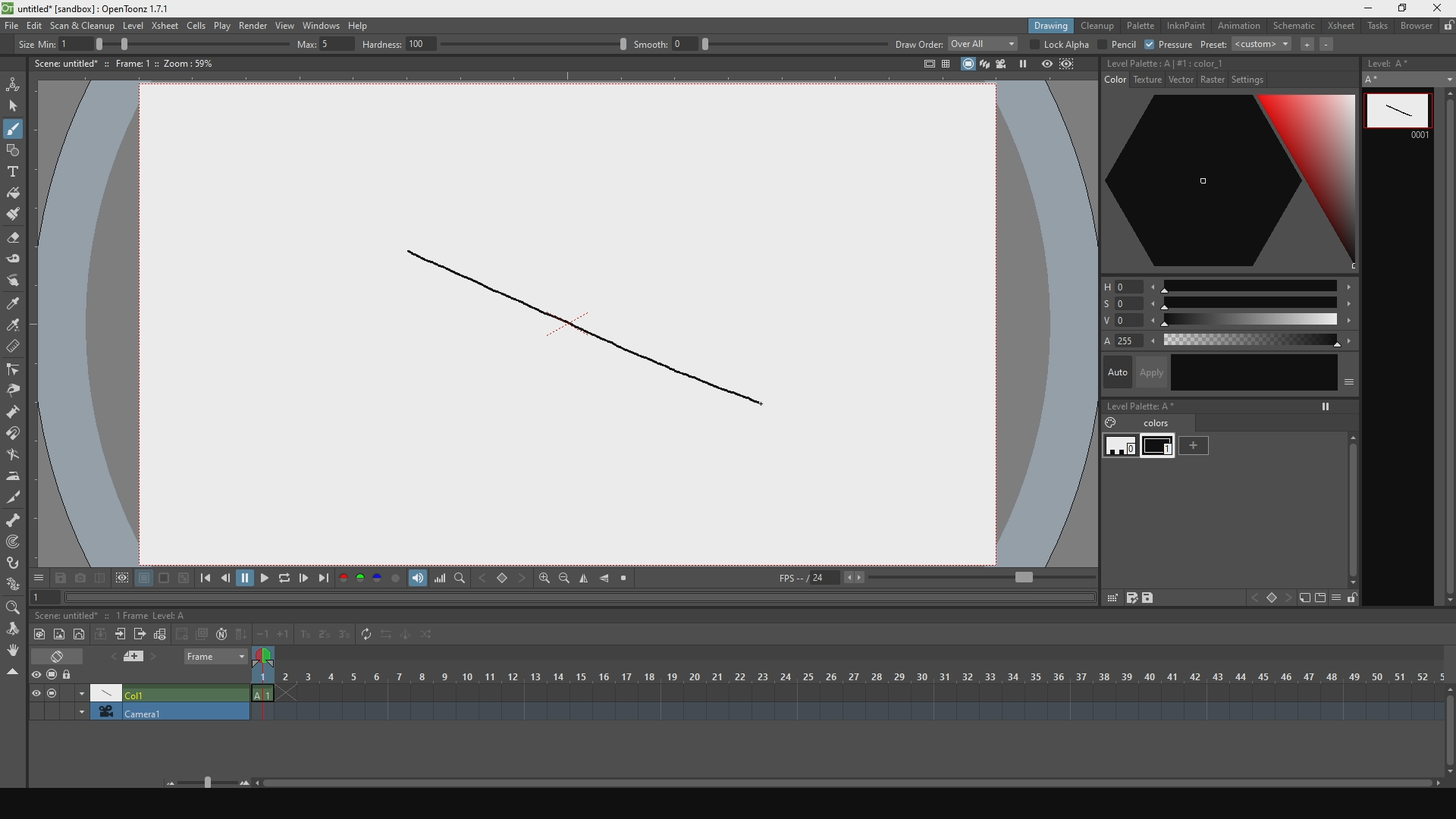  Describe the element at coordinates (1402, 9) in the screenshot. I see `maximize` at that location.